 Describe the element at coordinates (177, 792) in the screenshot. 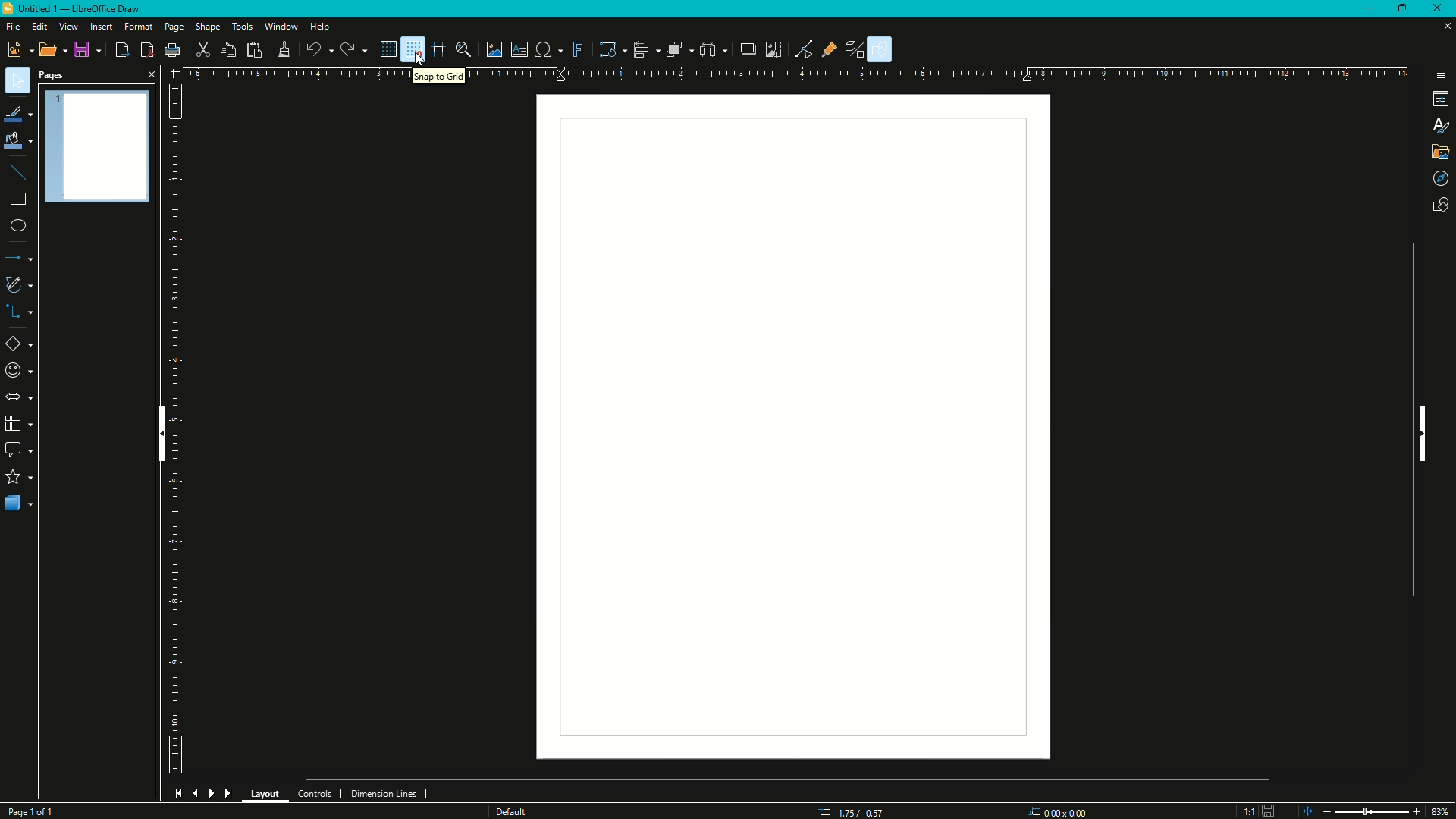

I see `First page` at that location.